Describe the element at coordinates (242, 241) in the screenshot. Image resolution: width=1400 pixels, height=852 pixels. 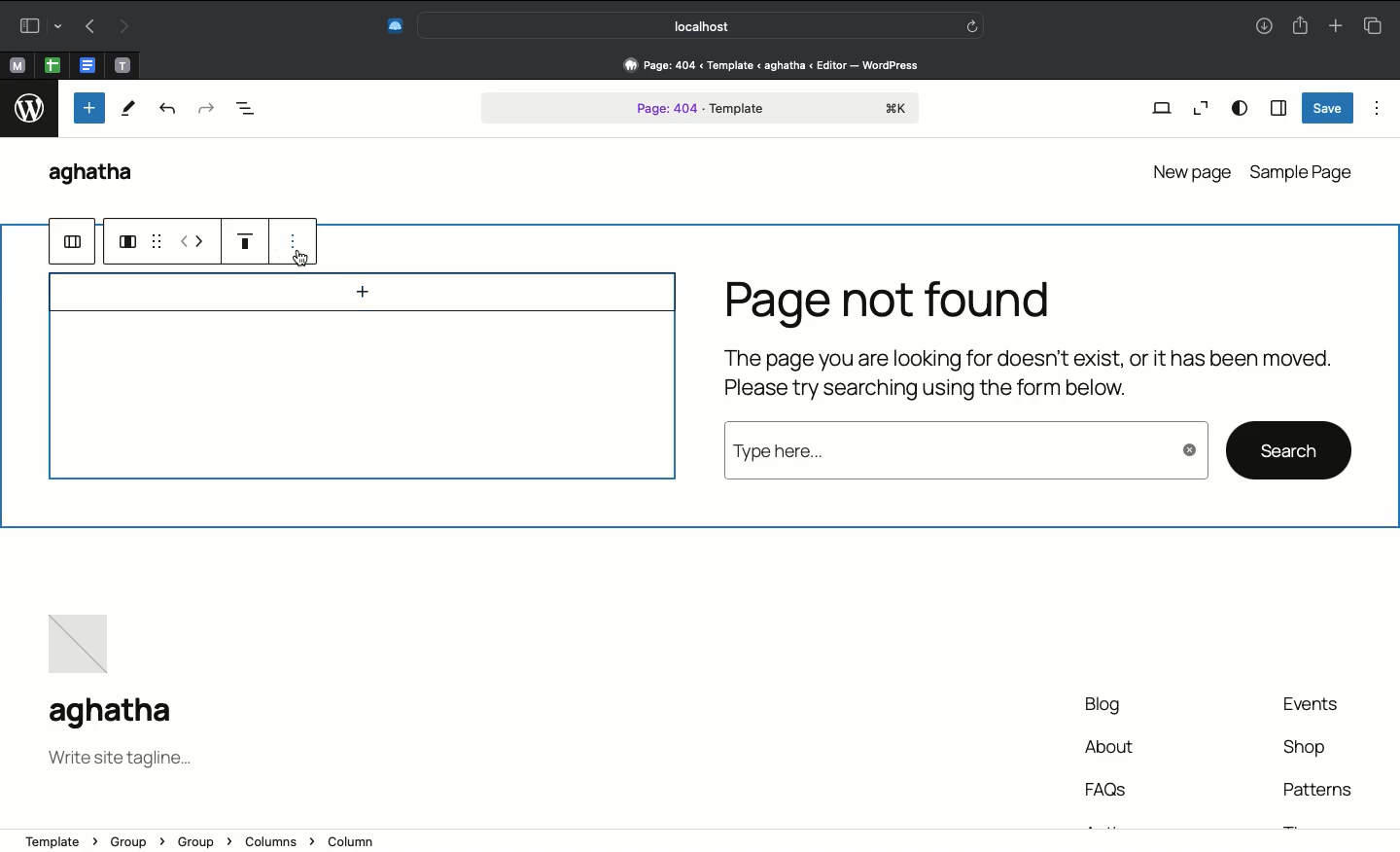
I see `Justification` at that location.